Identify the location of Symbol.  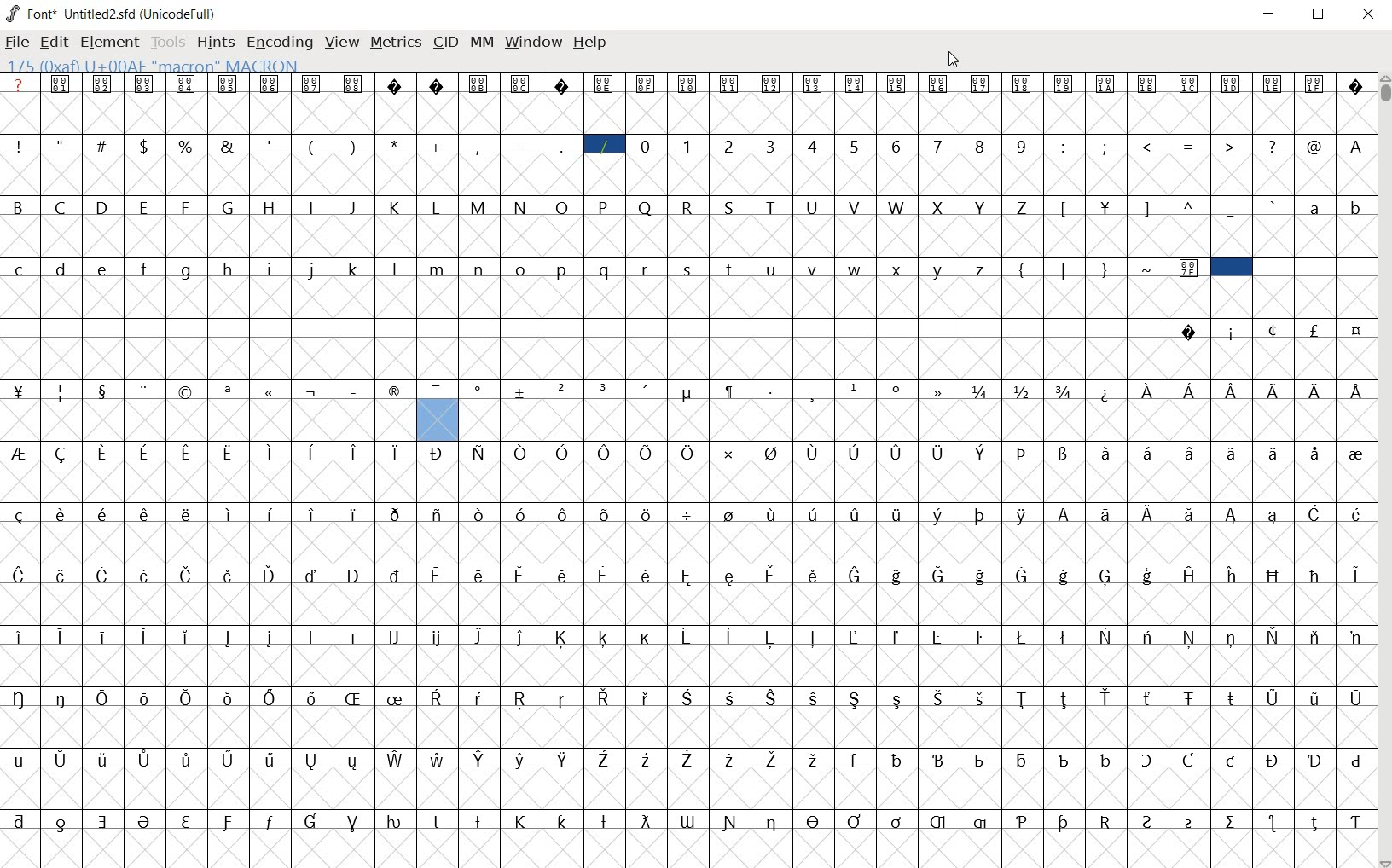
(187, 84).